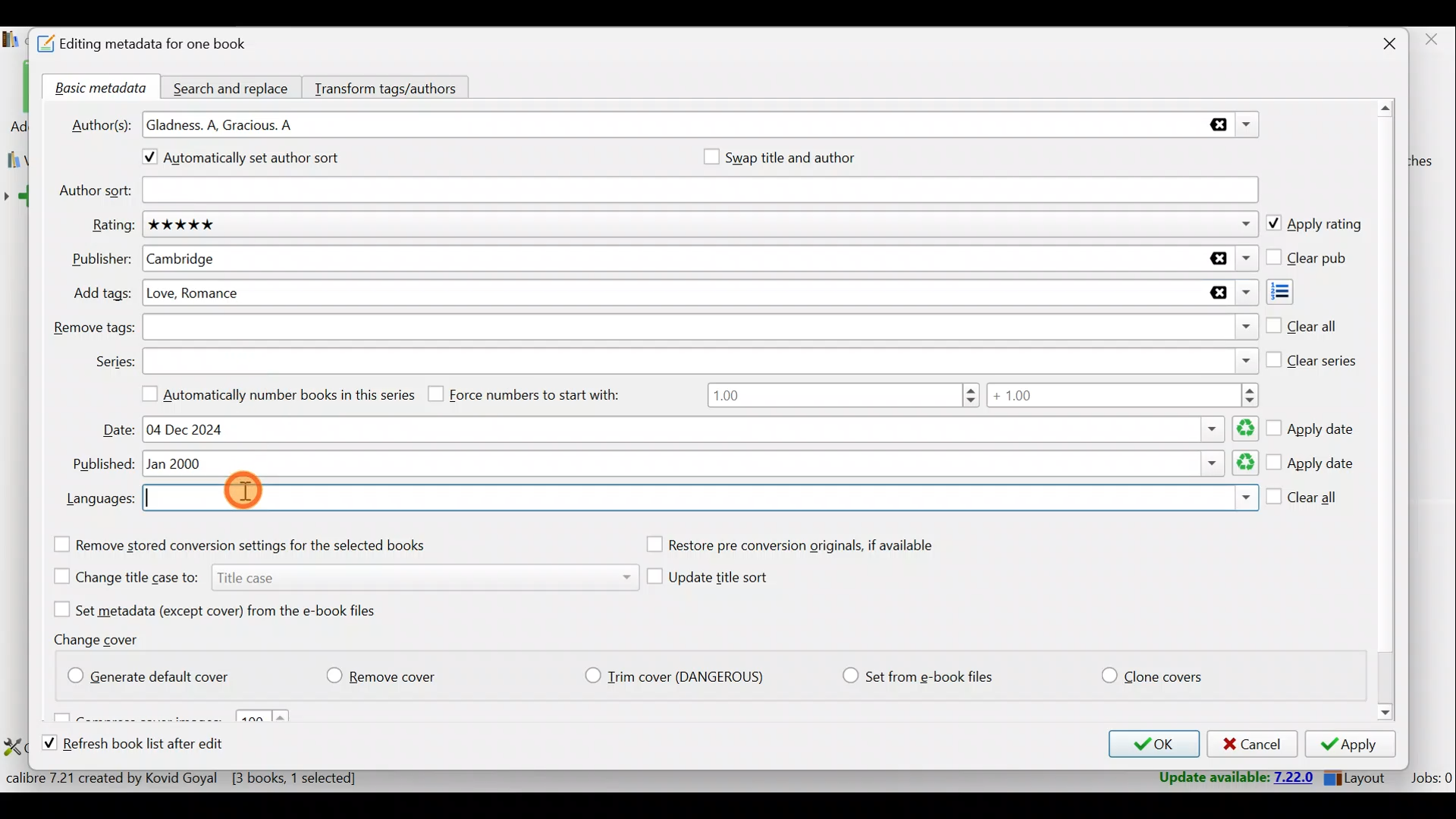  I want to click on Apply date, so click(1311, 464).